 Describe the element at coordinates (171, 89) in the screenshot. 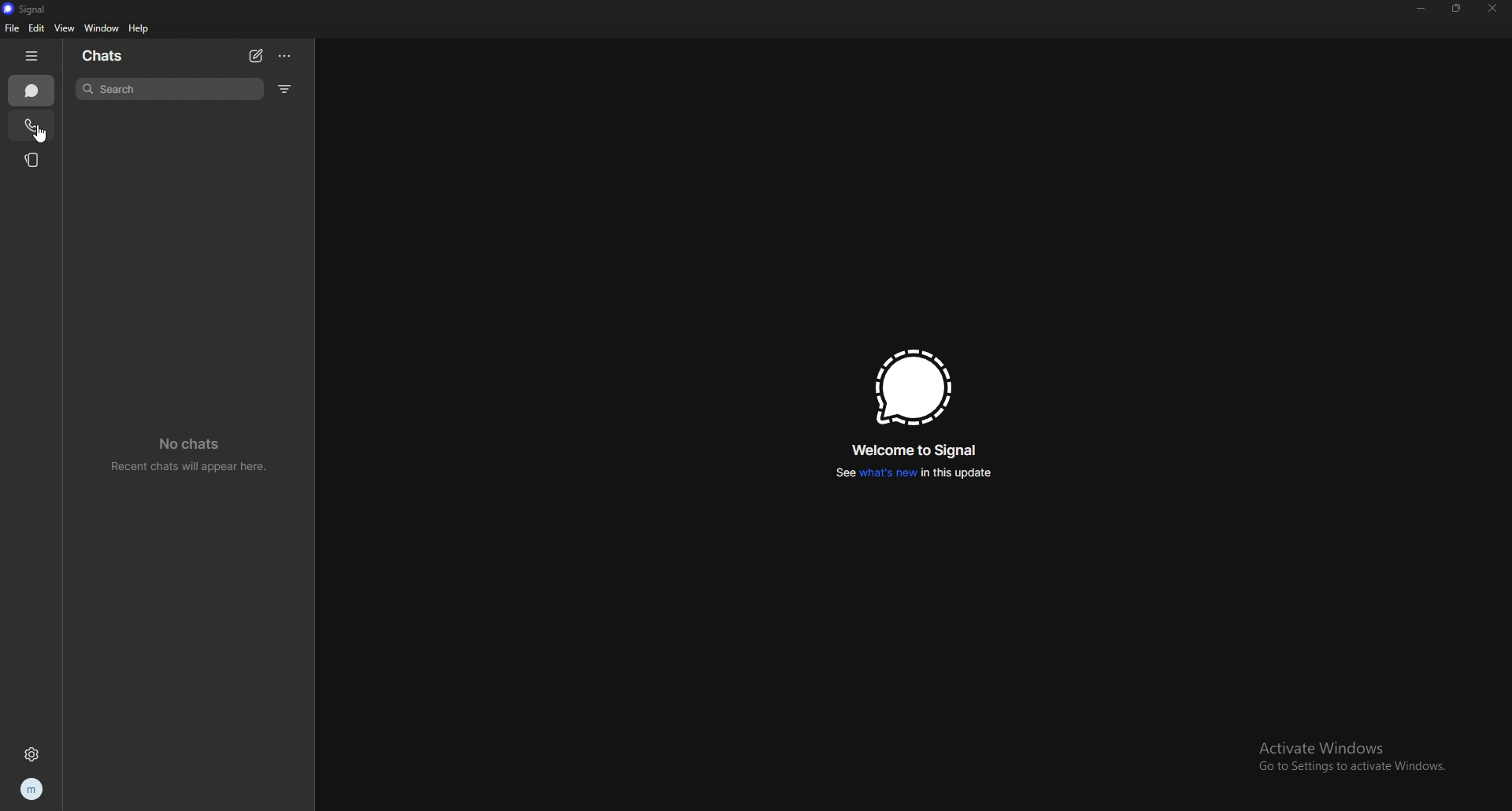

I see `search` at that location.